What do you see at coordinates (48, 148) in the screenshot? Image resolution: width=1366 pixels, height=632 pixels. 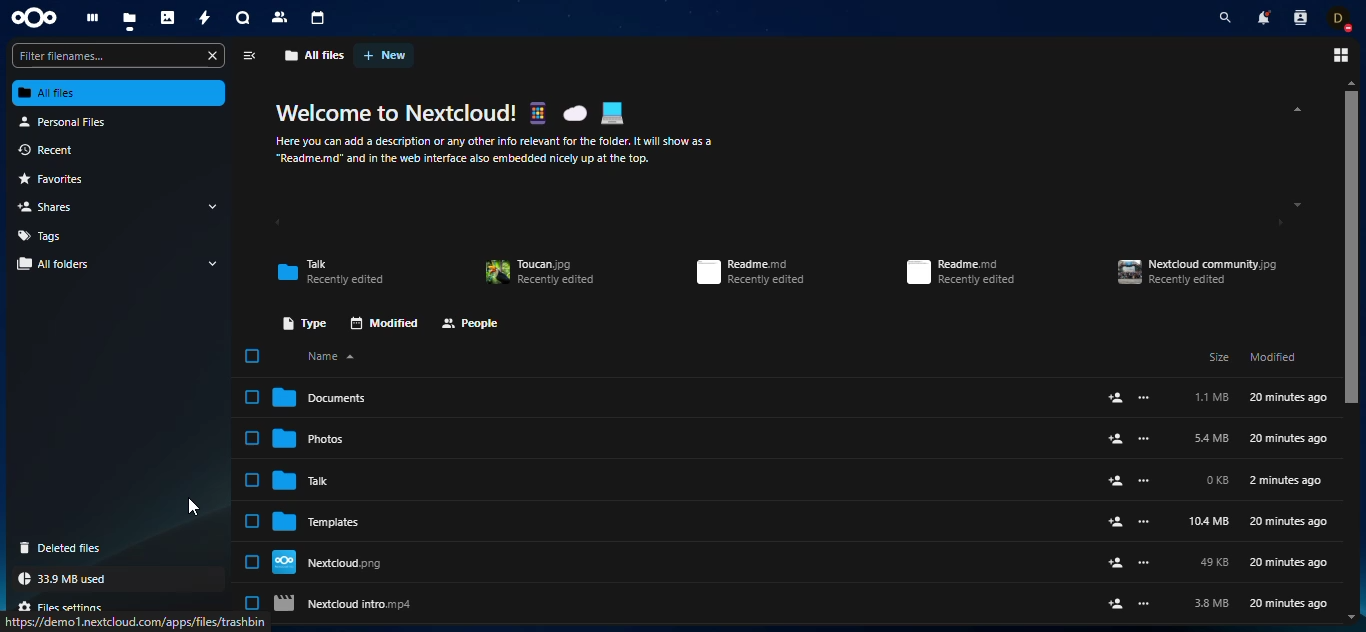 I see `Recent` at bounding box center [48, 148].